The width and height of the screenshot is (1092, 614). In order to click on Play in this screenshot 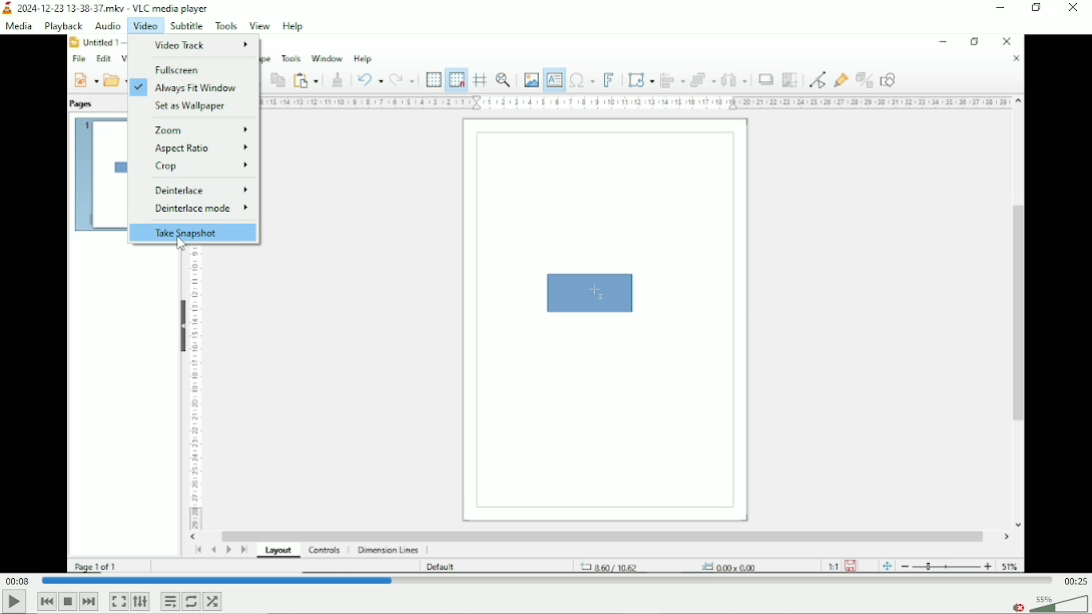, I will do `click(13, 603)`.